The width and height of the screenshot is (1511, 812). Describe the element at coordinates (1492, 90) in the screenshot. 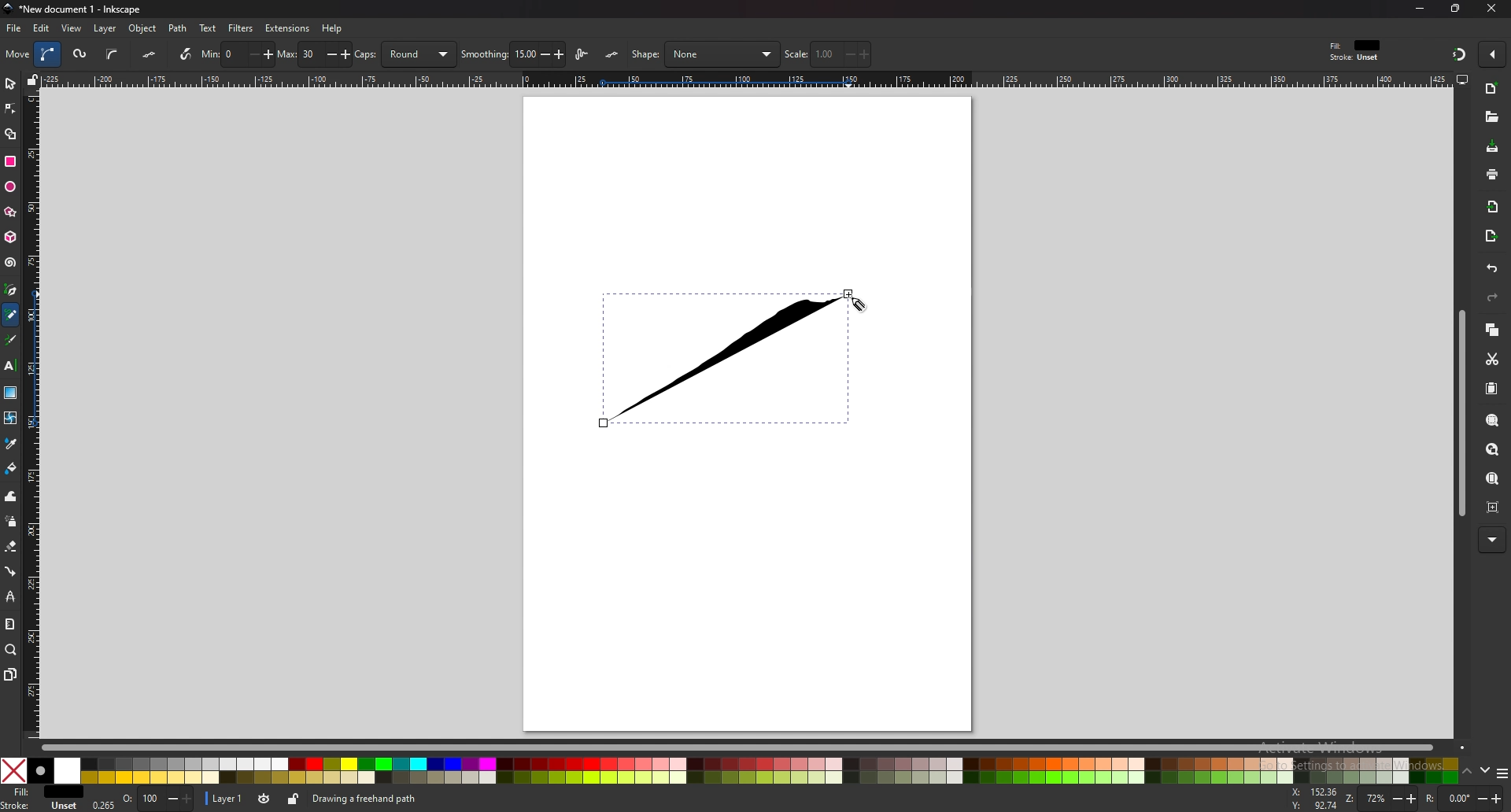

I see `new` at that location.